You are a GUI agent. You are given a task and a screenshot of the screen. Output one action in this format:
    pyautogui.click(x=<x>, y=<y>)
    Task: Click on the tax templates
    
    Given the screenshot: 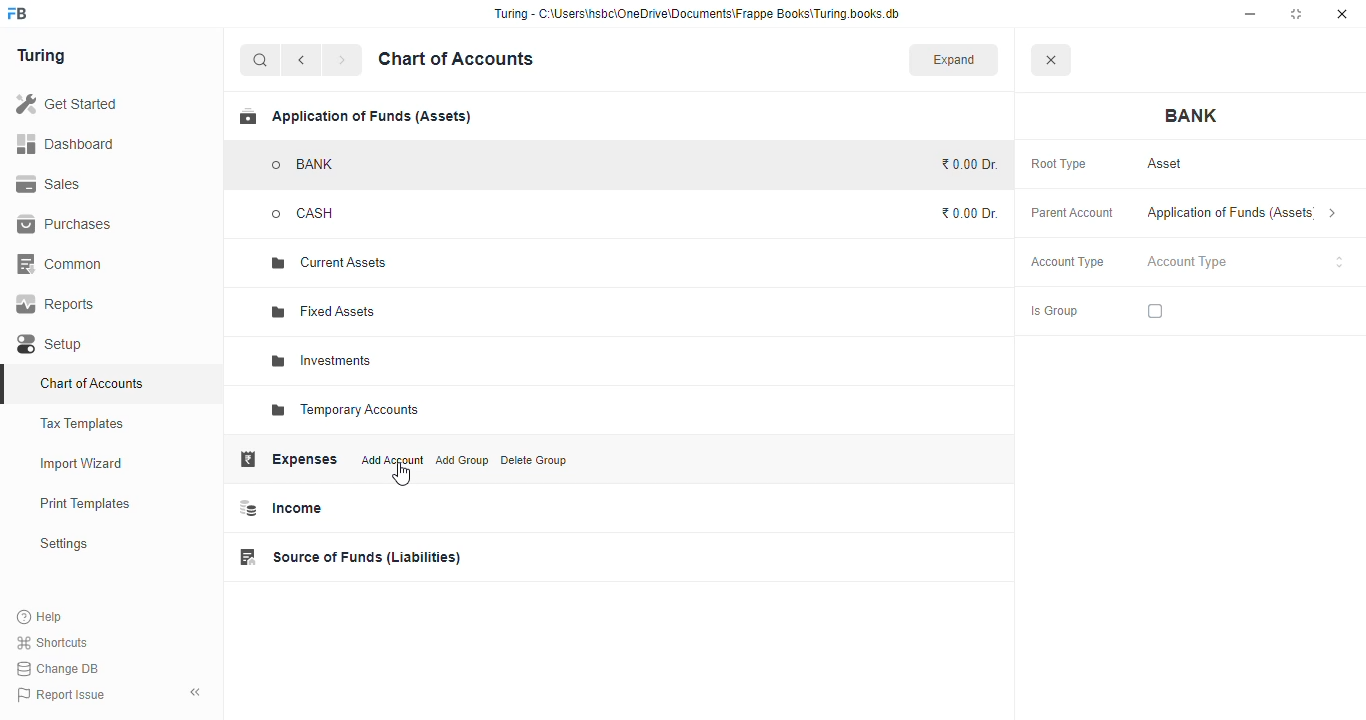 What is the action you would take?
    pyautogui.click(x=83, y=423)
    